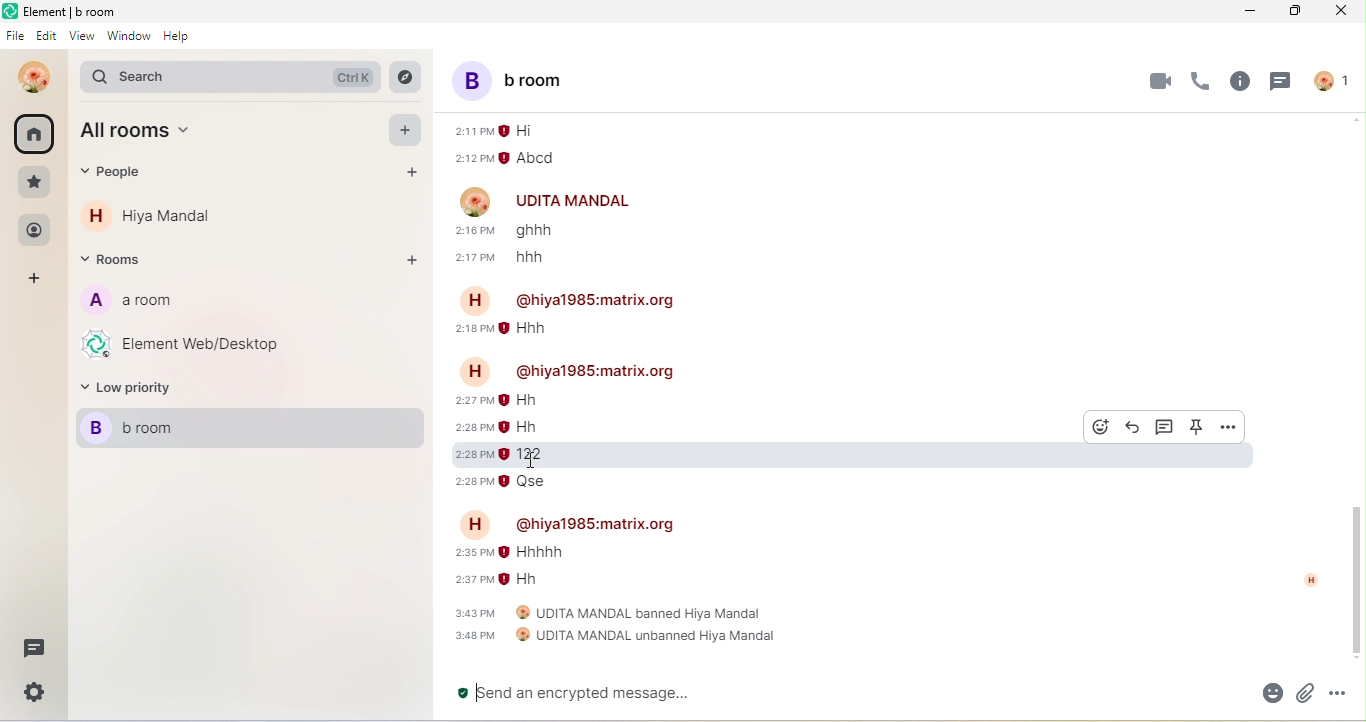 The image size is (1366, 722). I want to click on b room, so click(246, 428).